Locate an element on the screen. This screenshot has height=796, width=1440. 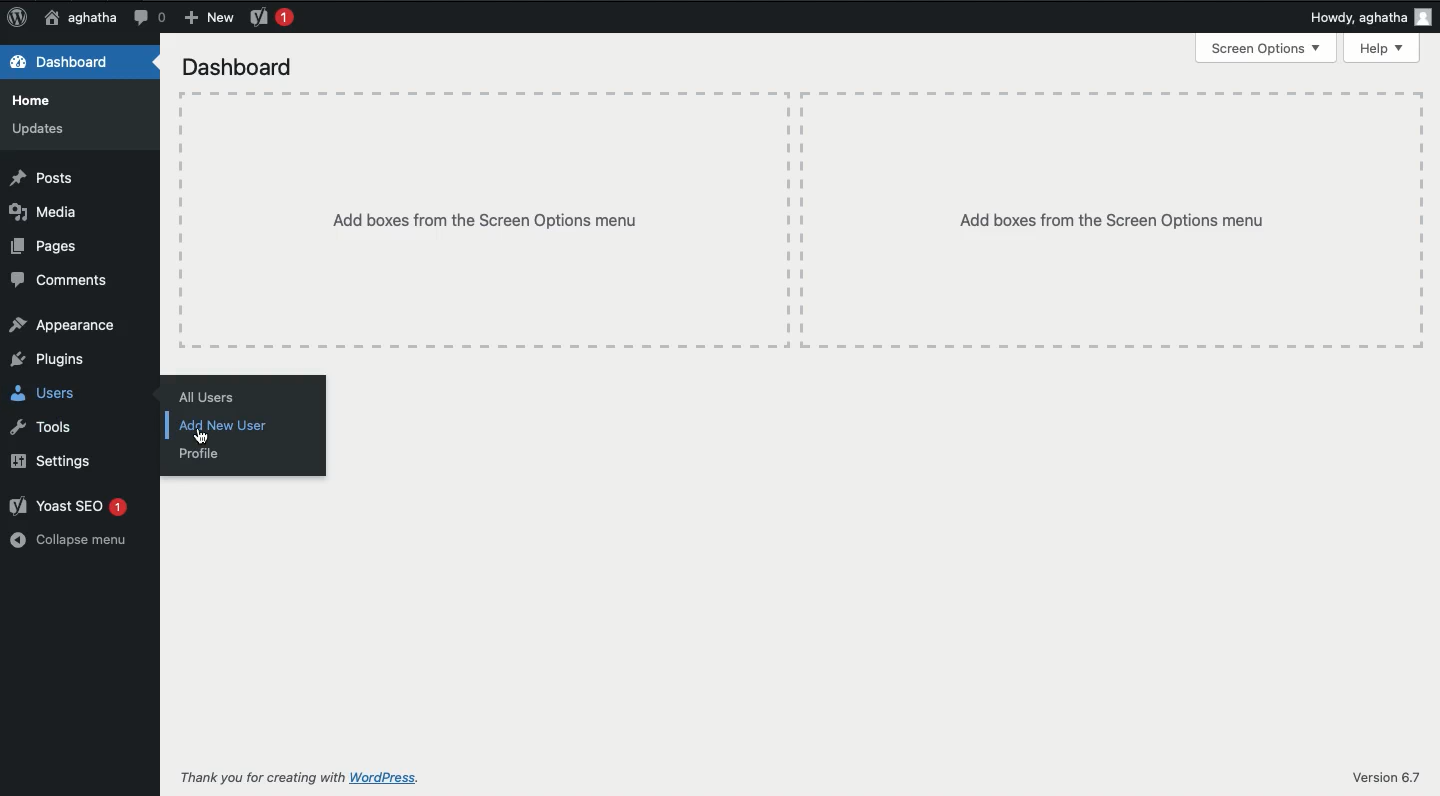
Add boxes from the screen options menu is located at coordinates (487, 219).